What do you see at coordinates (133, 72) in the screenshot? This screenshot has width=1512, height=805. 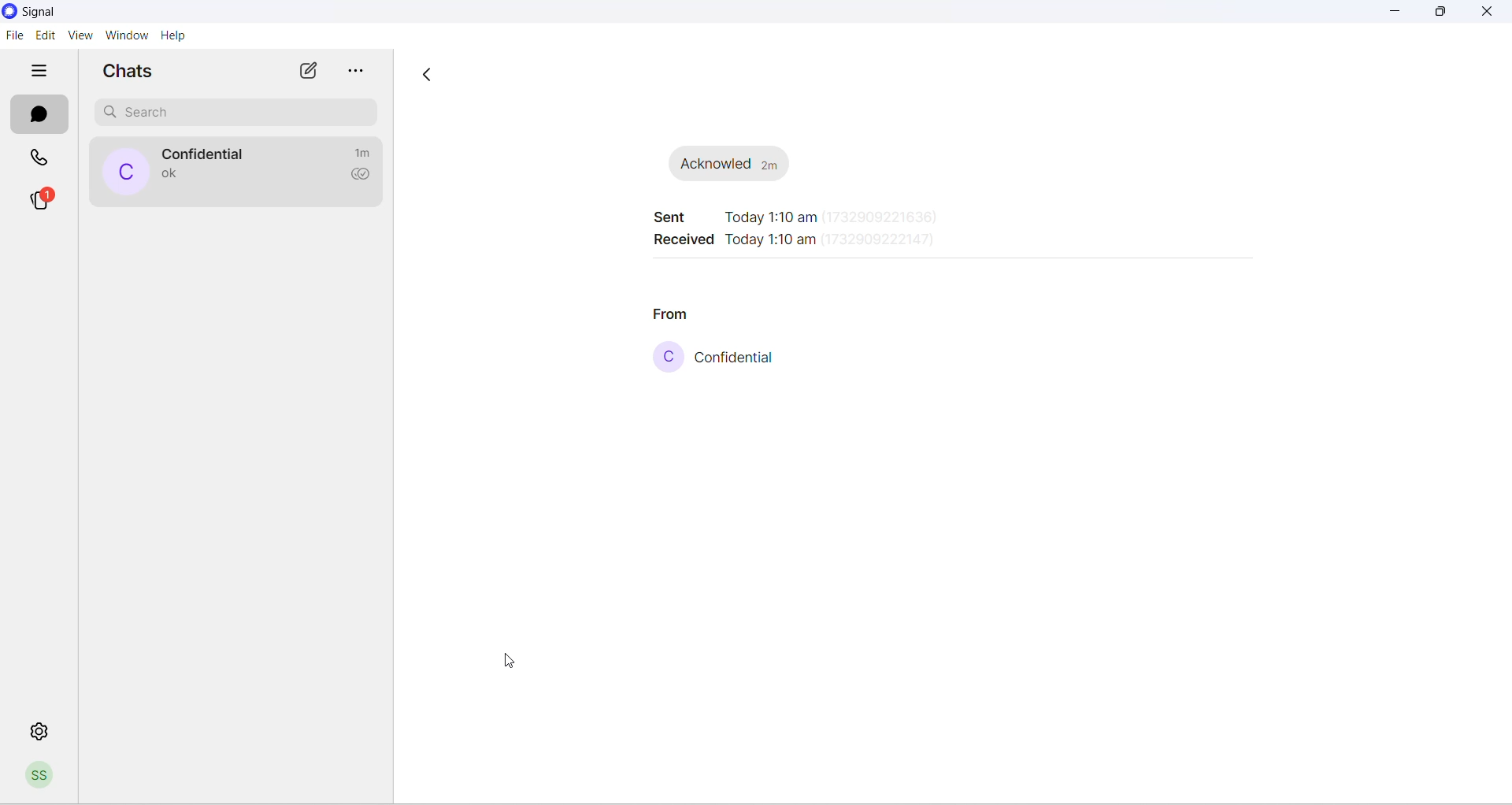 I see `chats heading` at bounding box center [133, 72].